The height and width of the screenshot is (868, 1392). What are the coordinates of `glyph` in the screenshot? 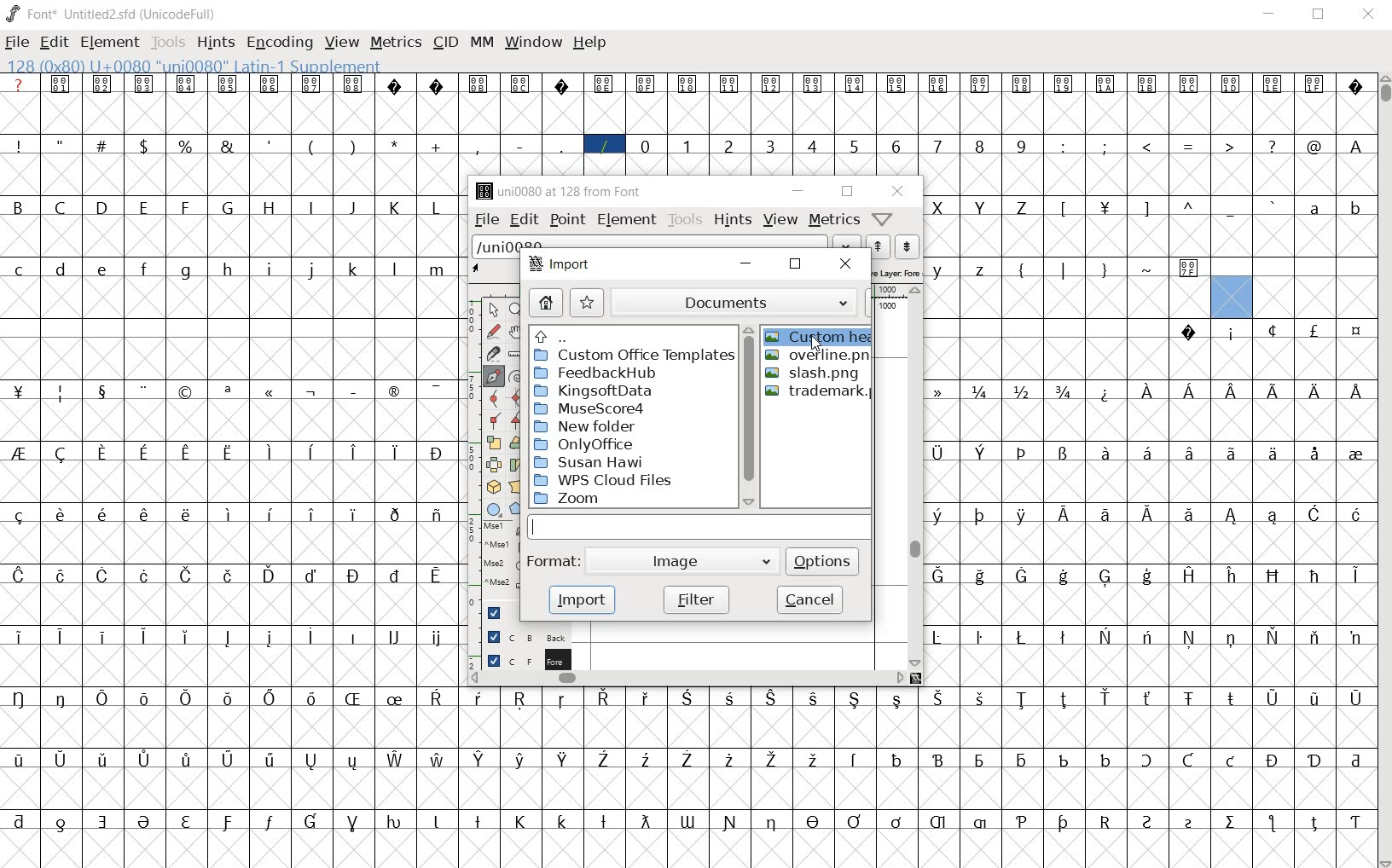 It's located at (184, 272).